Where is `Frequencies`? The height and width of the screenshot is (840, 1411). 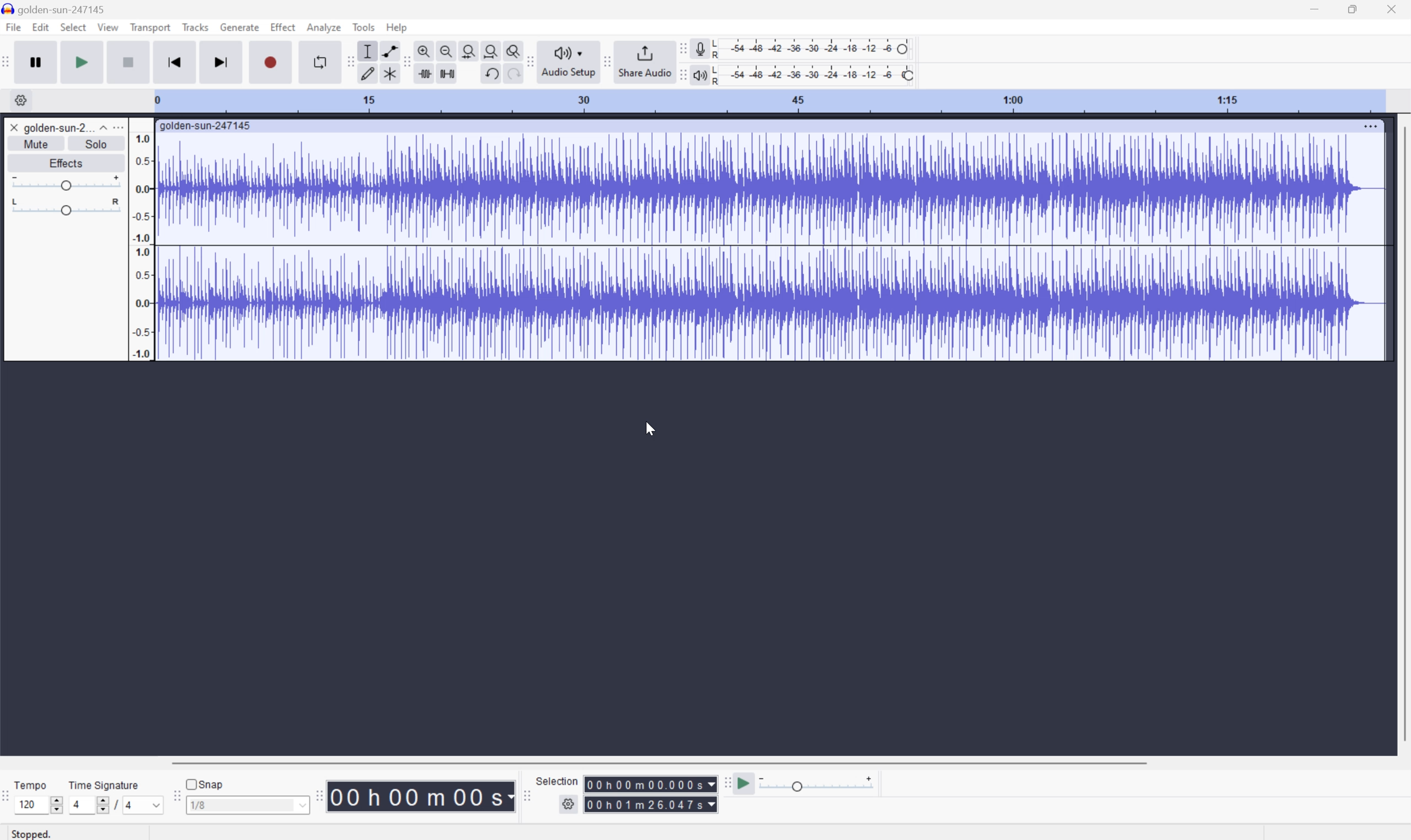 Frequencies is located at coordinates (142, 246).